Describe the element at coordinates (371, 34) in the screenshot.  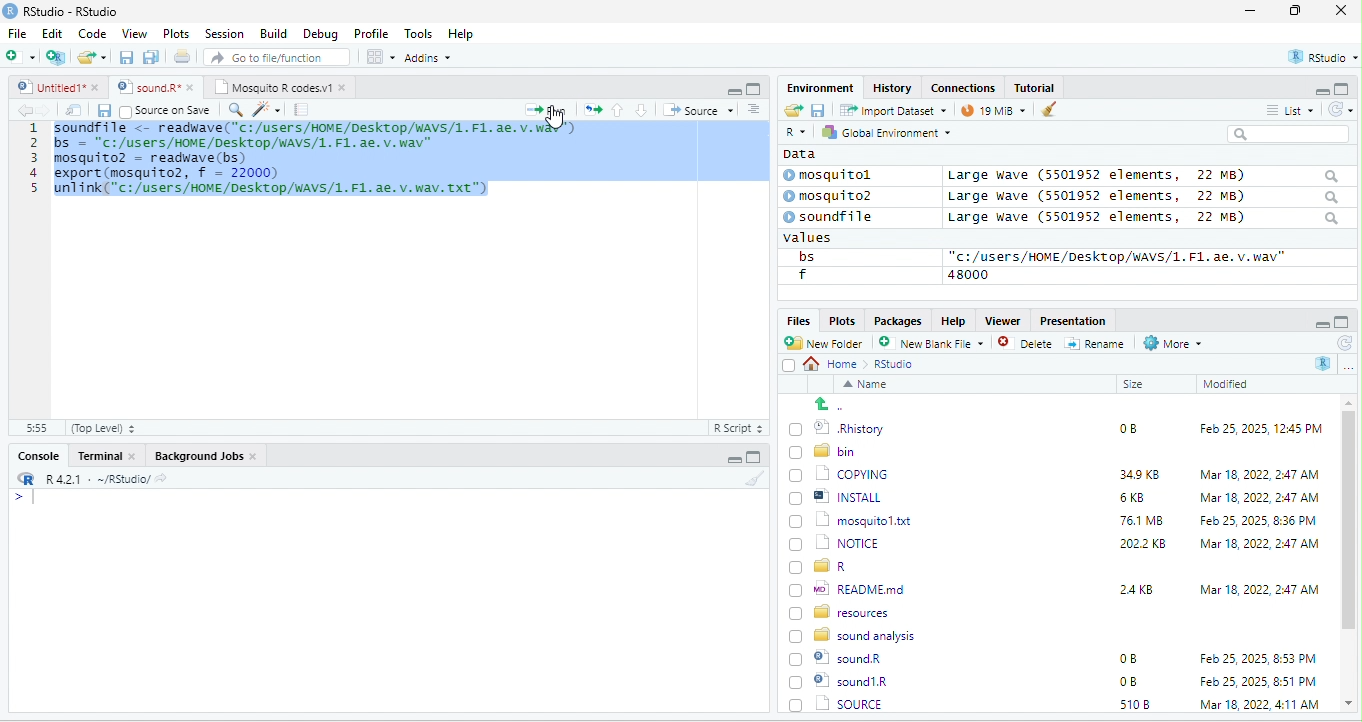
I see `Profile` at that location.